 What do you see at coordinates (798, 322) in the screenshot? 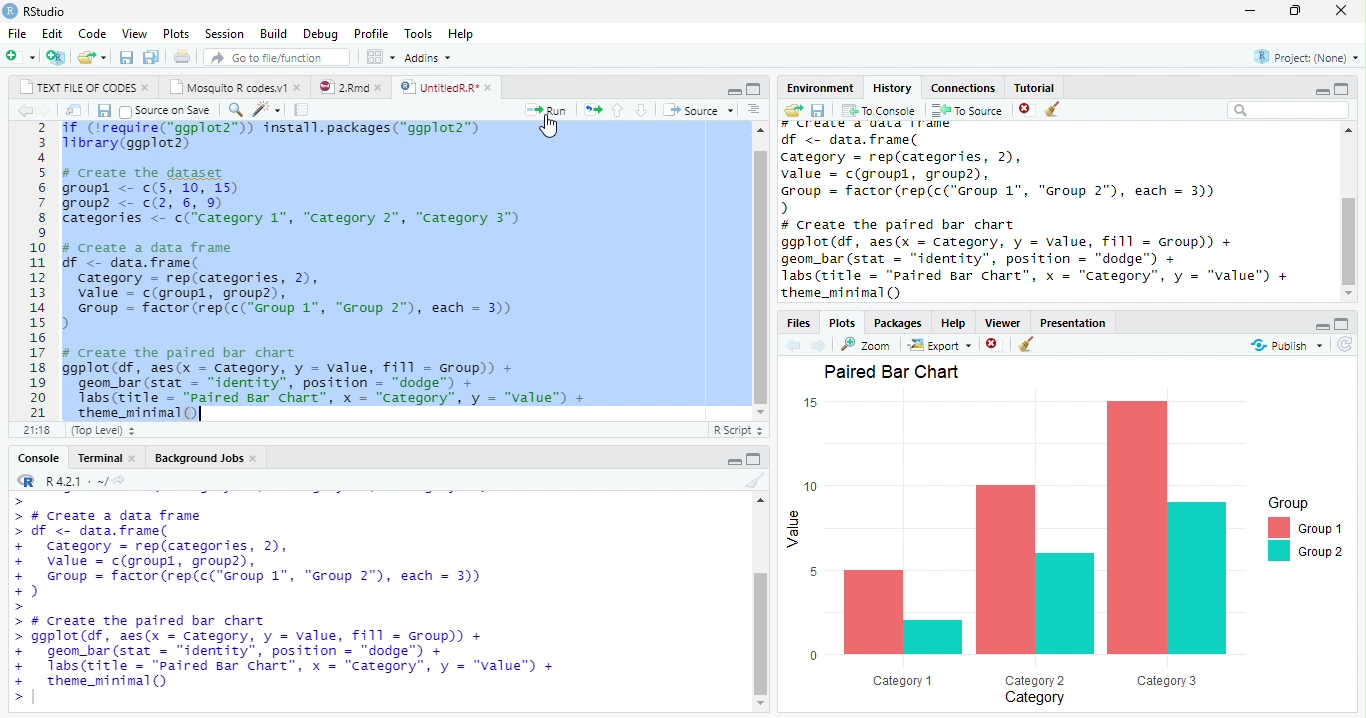
I see `files` at bounding box center [798, 322].